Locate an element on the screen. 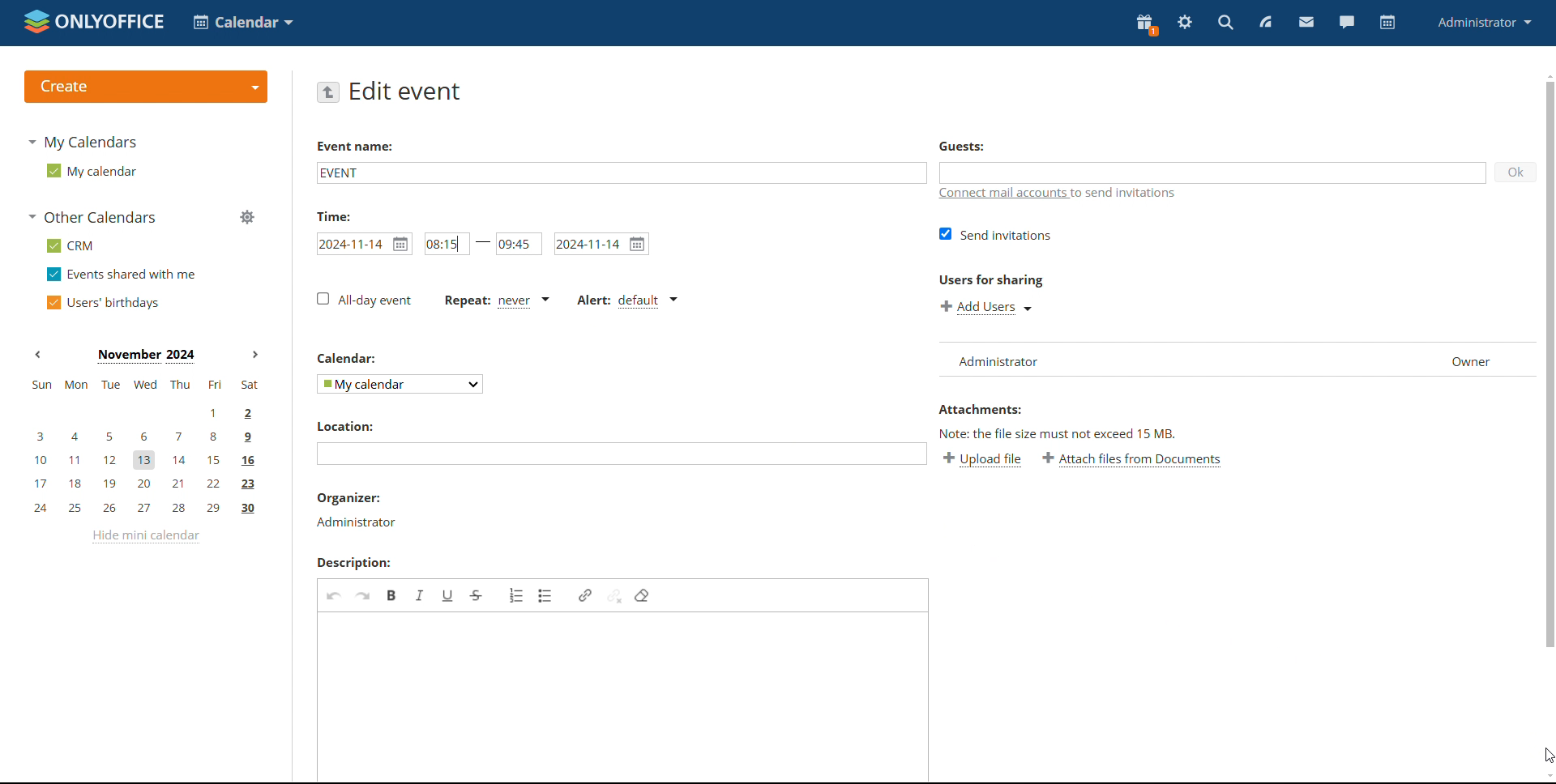  scroll down is located at coordinates (1546, 776).